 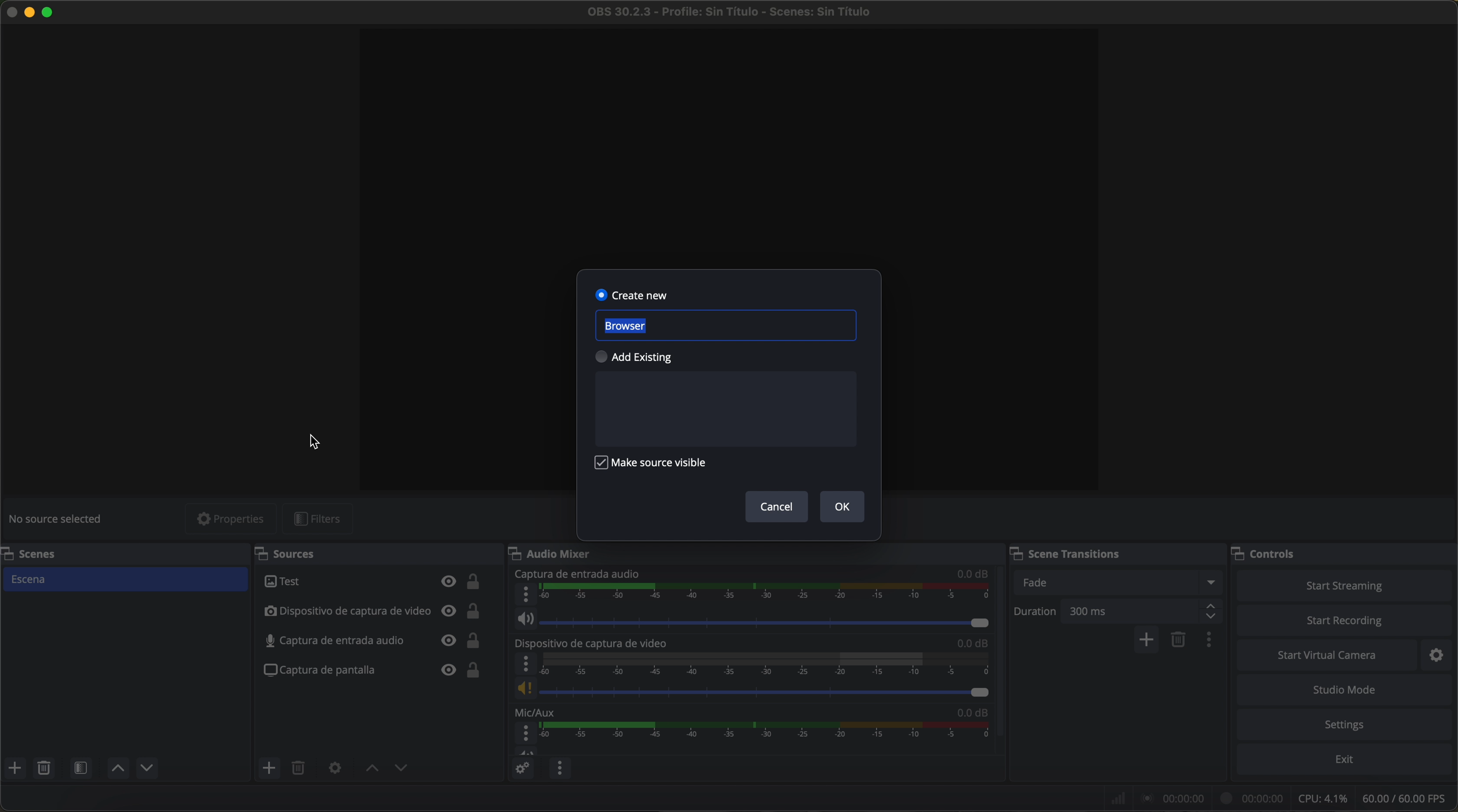 I want to click on more options, so click(x=525, y=734).